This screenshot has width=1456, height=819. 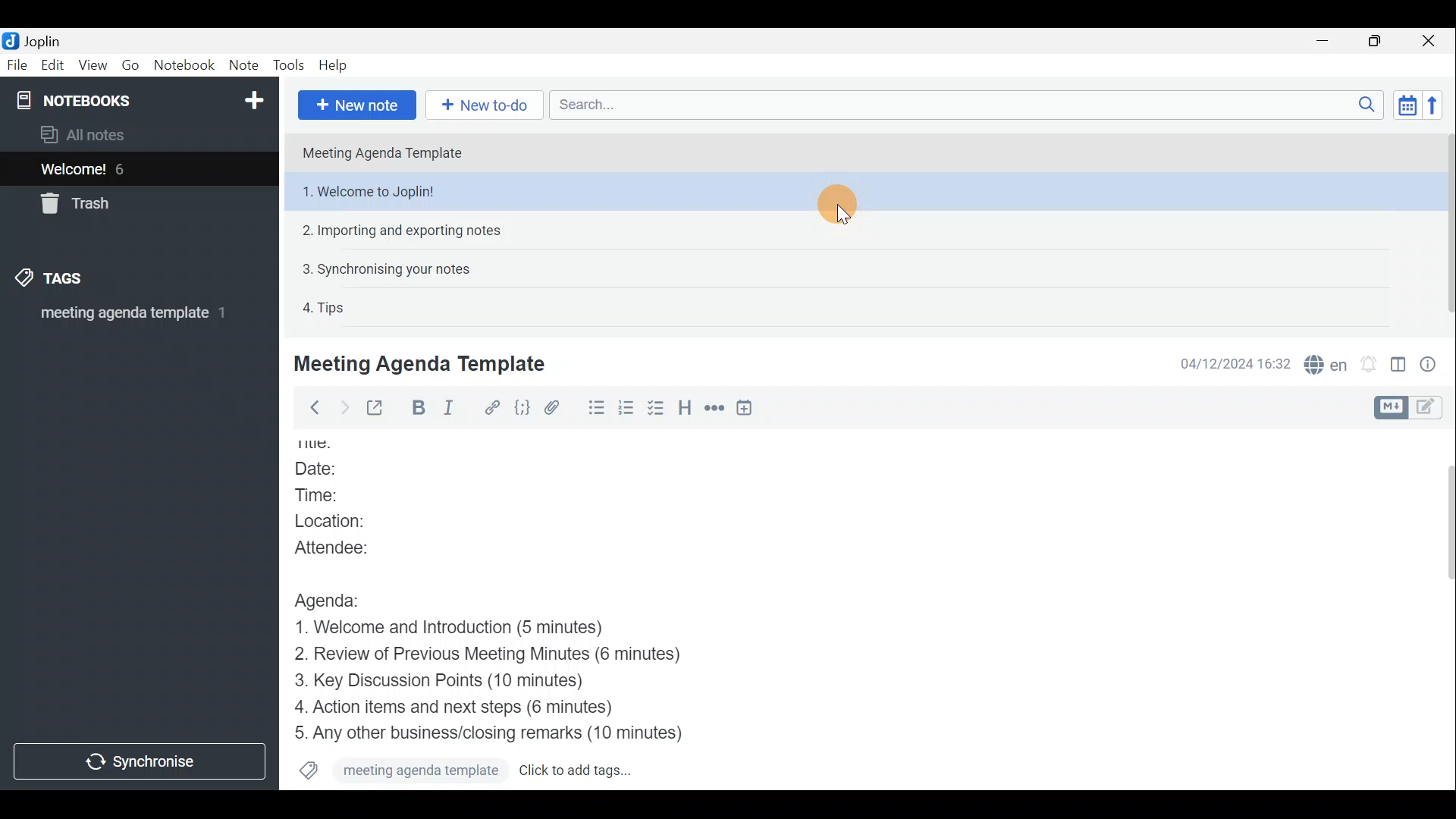 What do you see at coordinates (45, 276) in the screenshot?
I see `Tags` at bounding box center [45, 276].